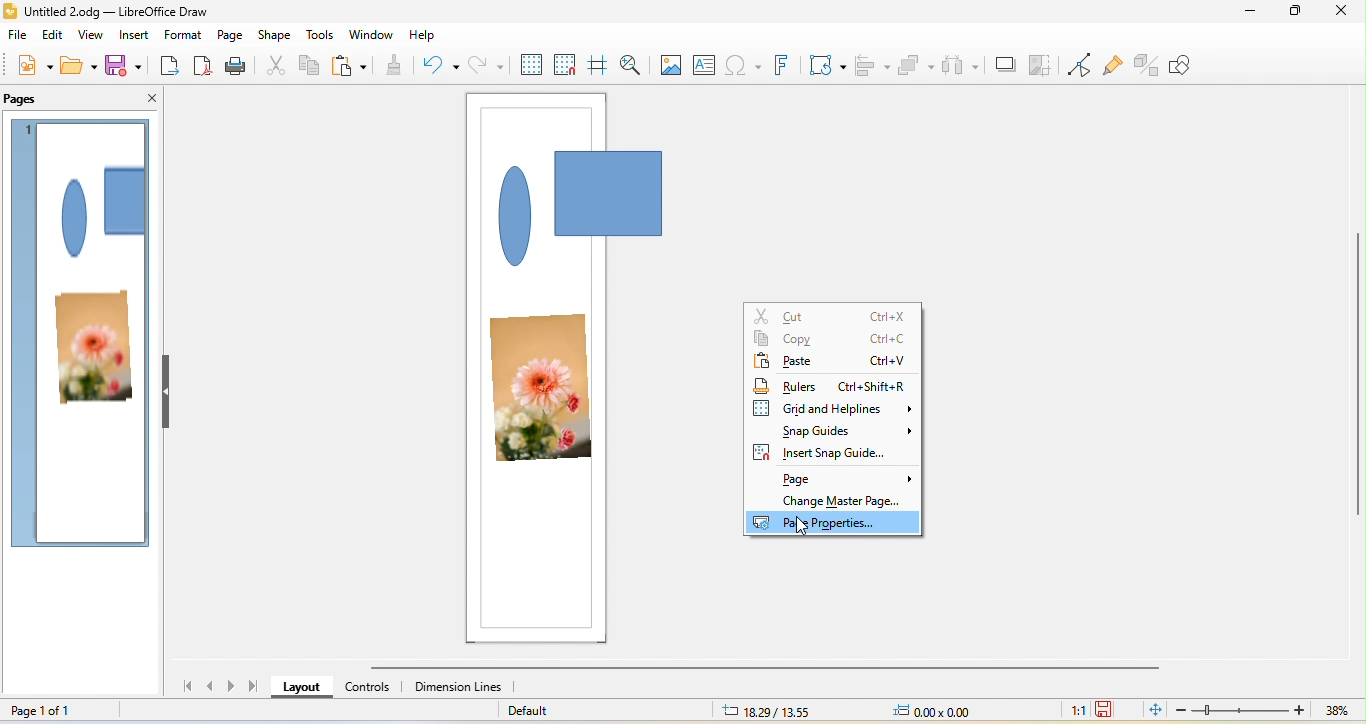  Describe the element at coordinates (1004, 59) in the screenshot. I see `shadow` at that location.